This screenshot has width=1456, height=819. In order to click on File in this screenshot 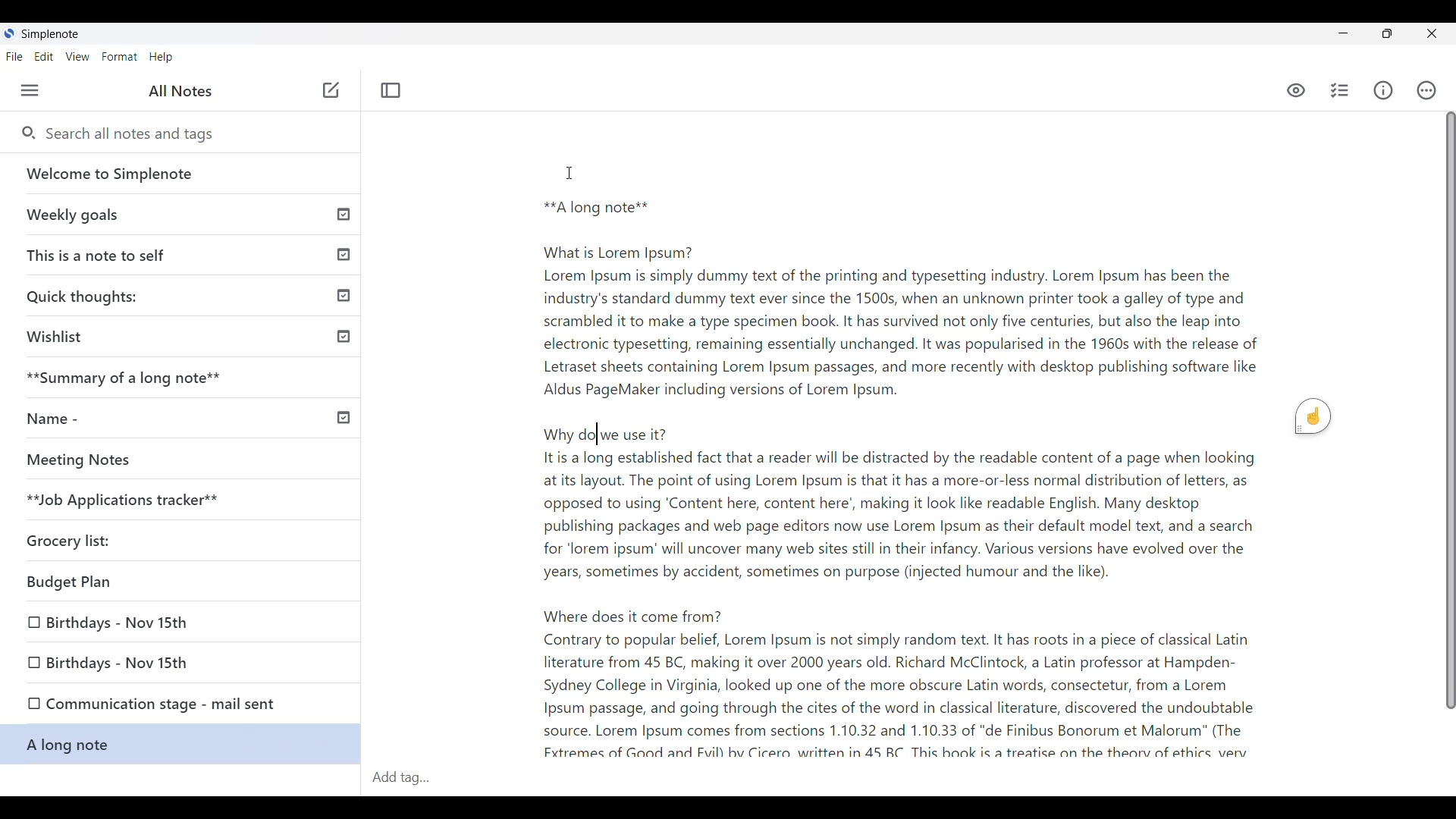, I will do `click(14, 56)`.